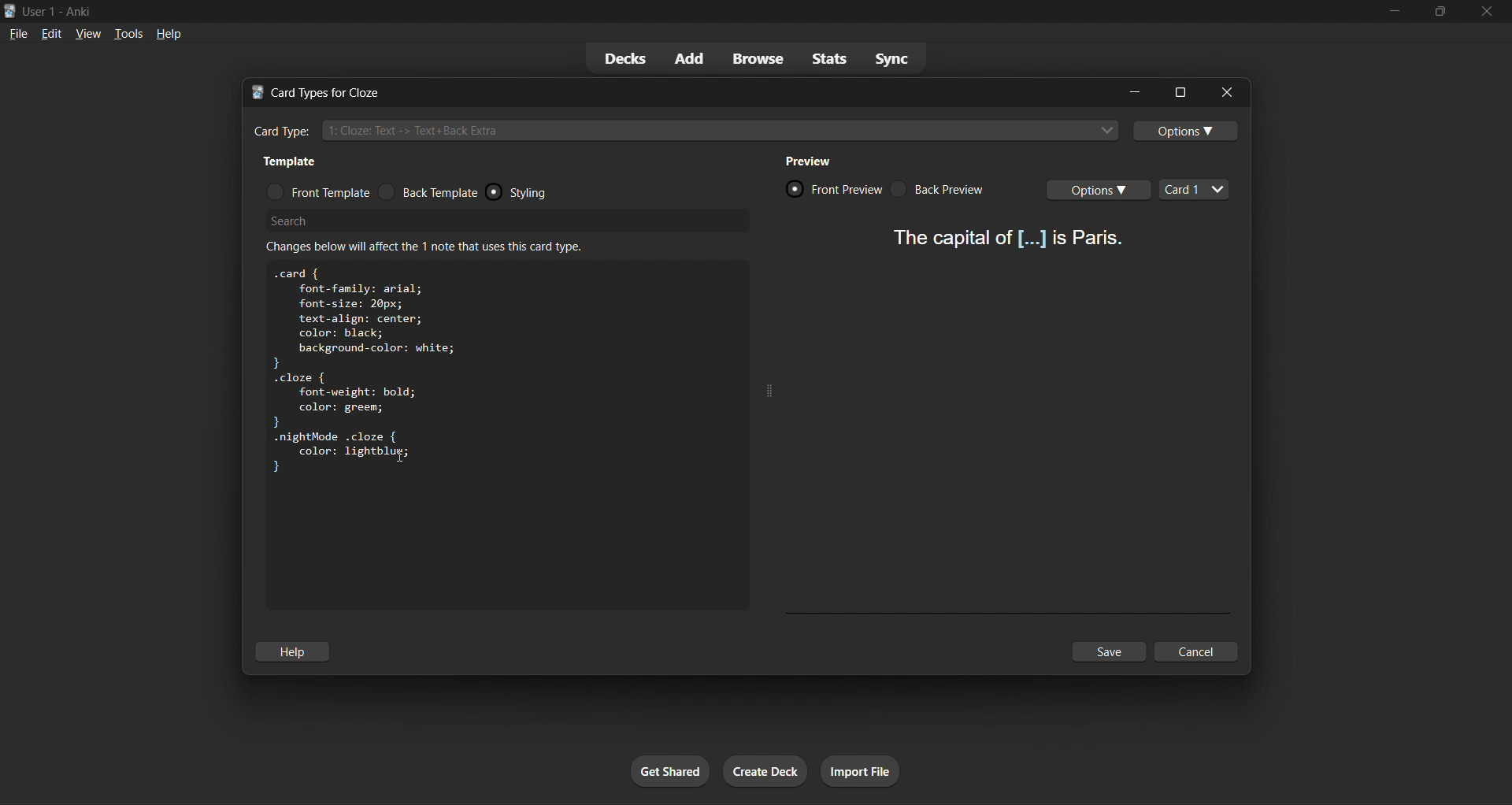 Image resolution: width=1512 pixels, height=805 pixels. What do you see at coordinates (18, 33) in the screenshot?
I see `file` at bounding box center [18, 33].